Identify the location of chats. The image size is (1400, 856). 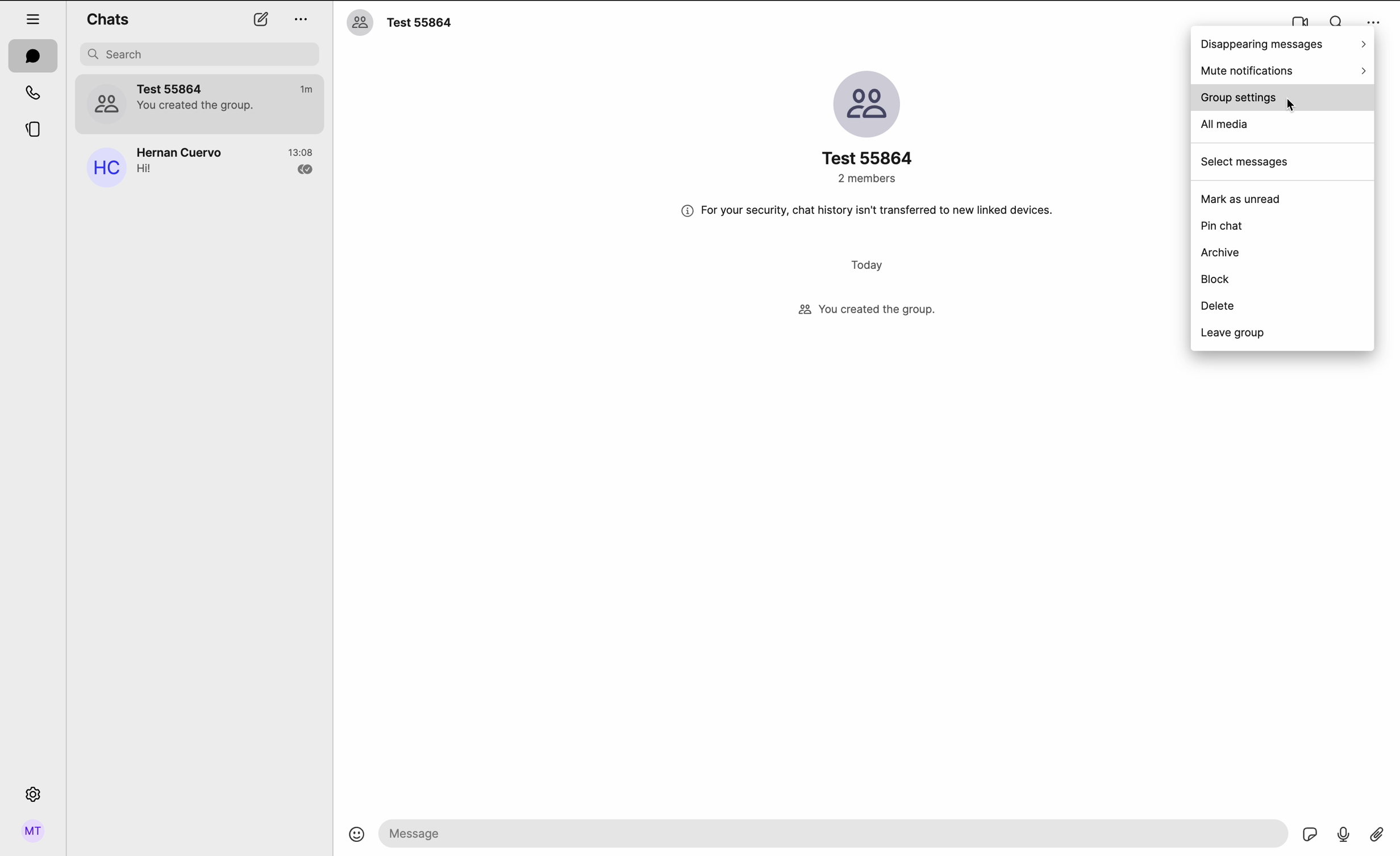
(34, 56).